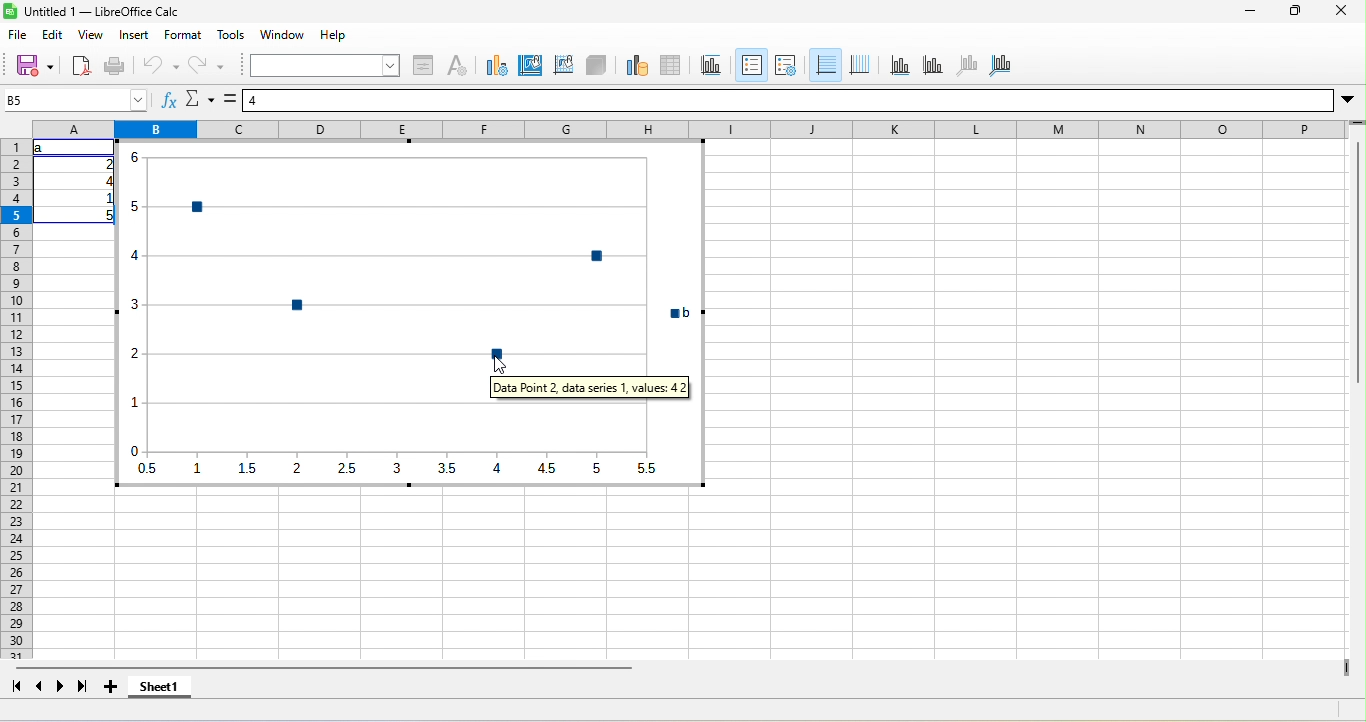  What do you see at coordinates (410, 443) in the screenshot?
I see `XY (Scatter) chart` at bounding box center [410, 443].